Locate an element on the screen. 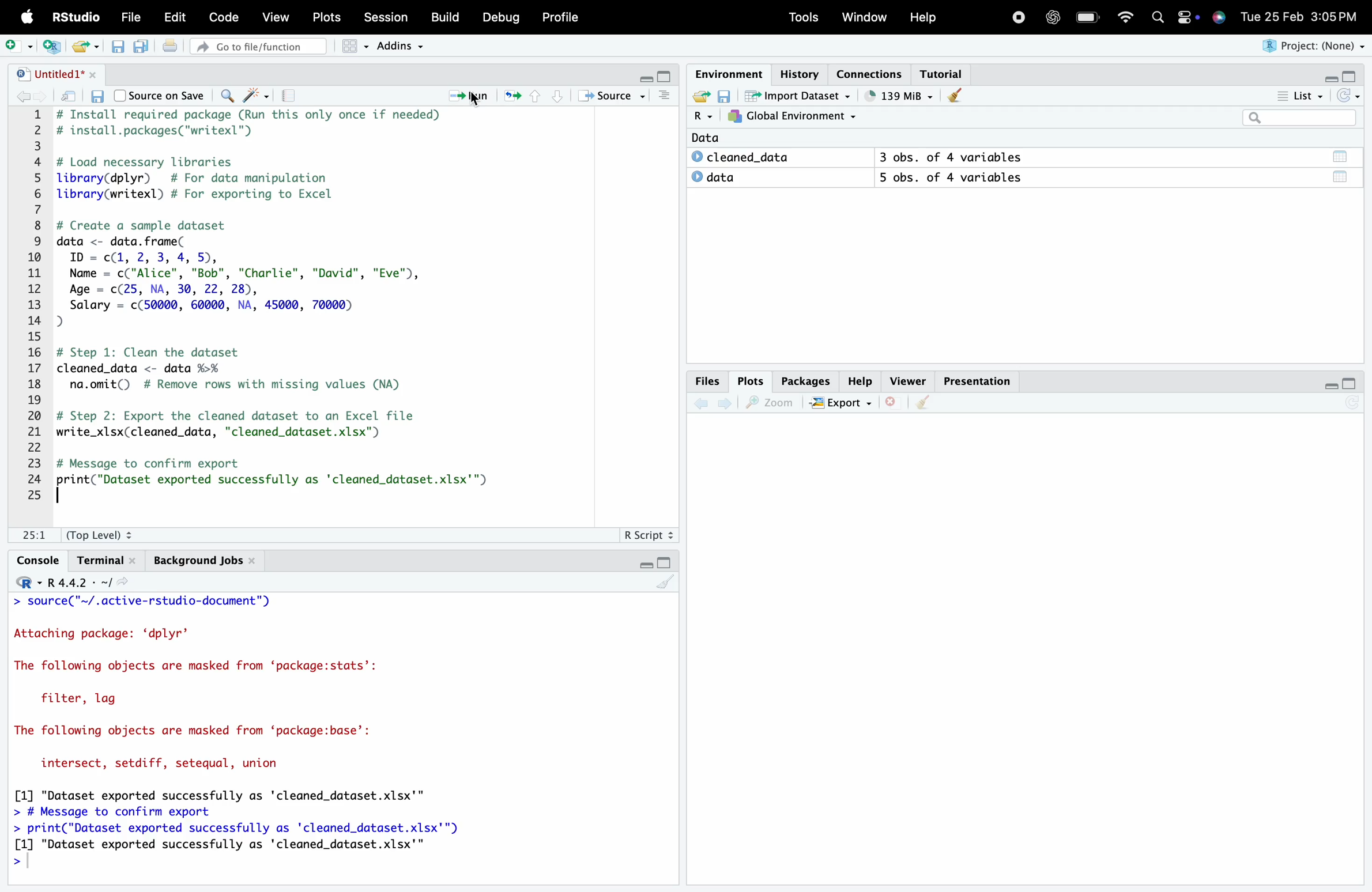  Go to file/function is located at coordinates (259, 47).